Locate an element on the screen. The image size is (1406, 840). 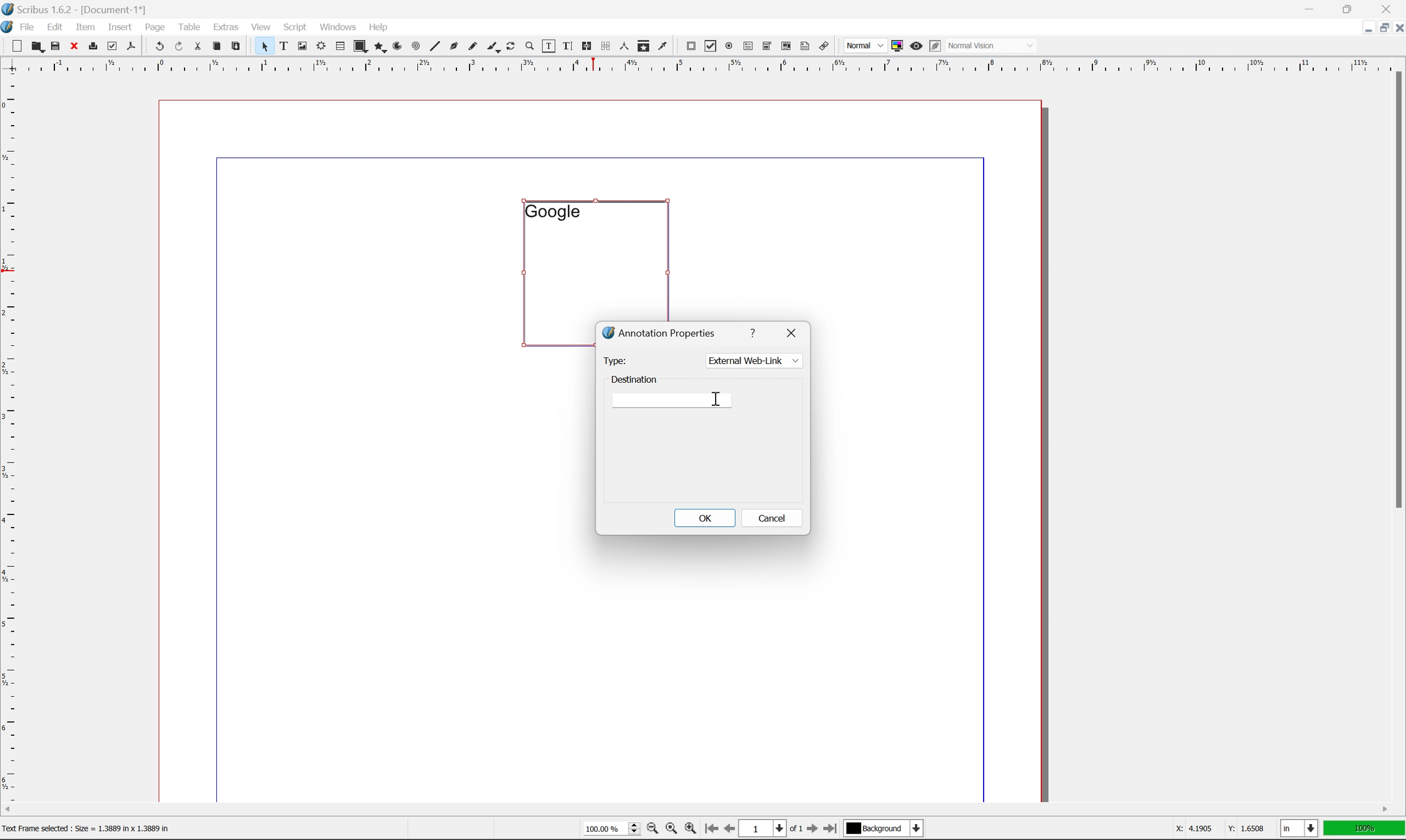
restore down is located at coordinates (1379, 28).